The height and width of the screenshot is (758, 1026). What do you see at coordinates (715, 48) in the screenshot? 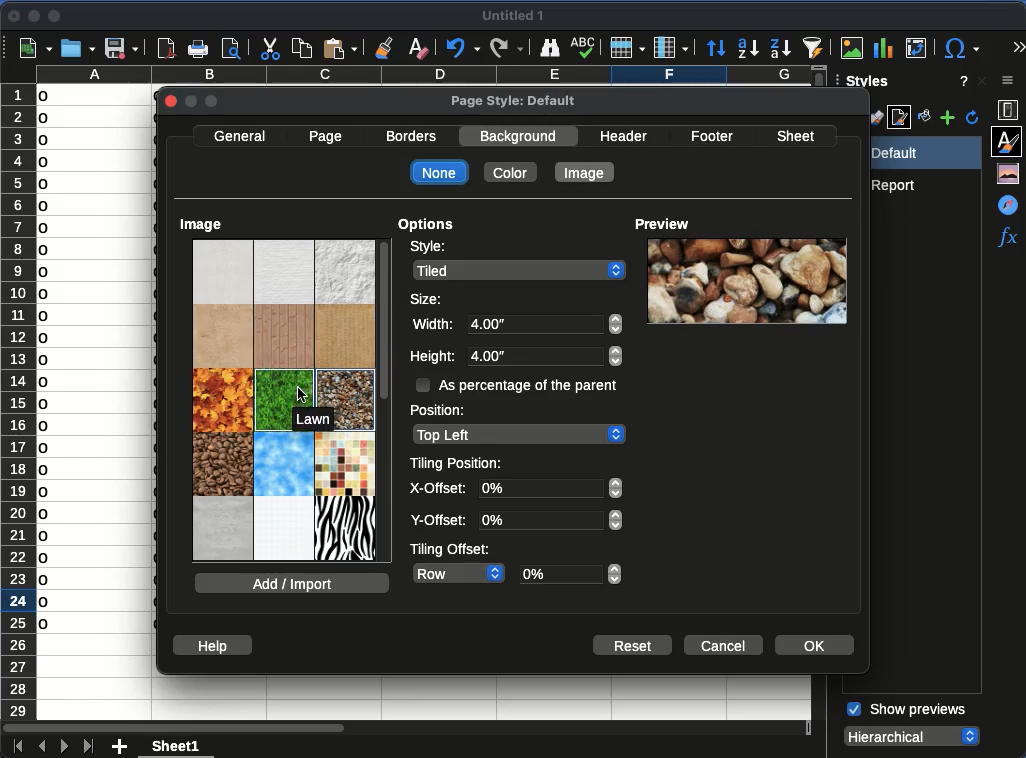
I see `sort` at bounding box center [715, 48].